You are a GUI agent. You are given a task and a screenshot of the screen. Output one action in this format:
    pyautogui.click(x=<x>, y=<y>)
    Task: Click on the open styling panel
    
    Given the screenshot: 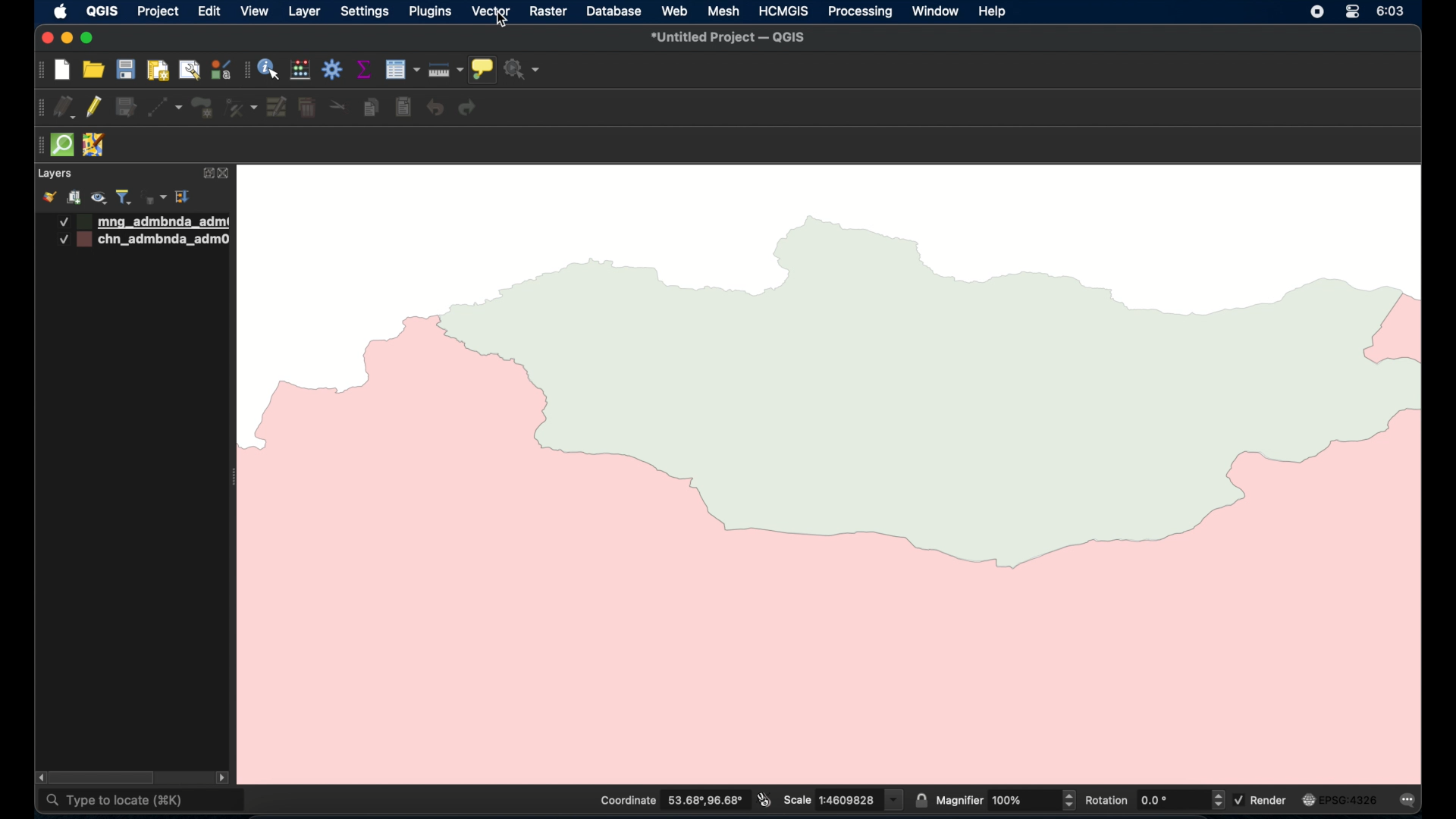 What is the action you would take?
    pyautogui.click(x=48, y=197)
    